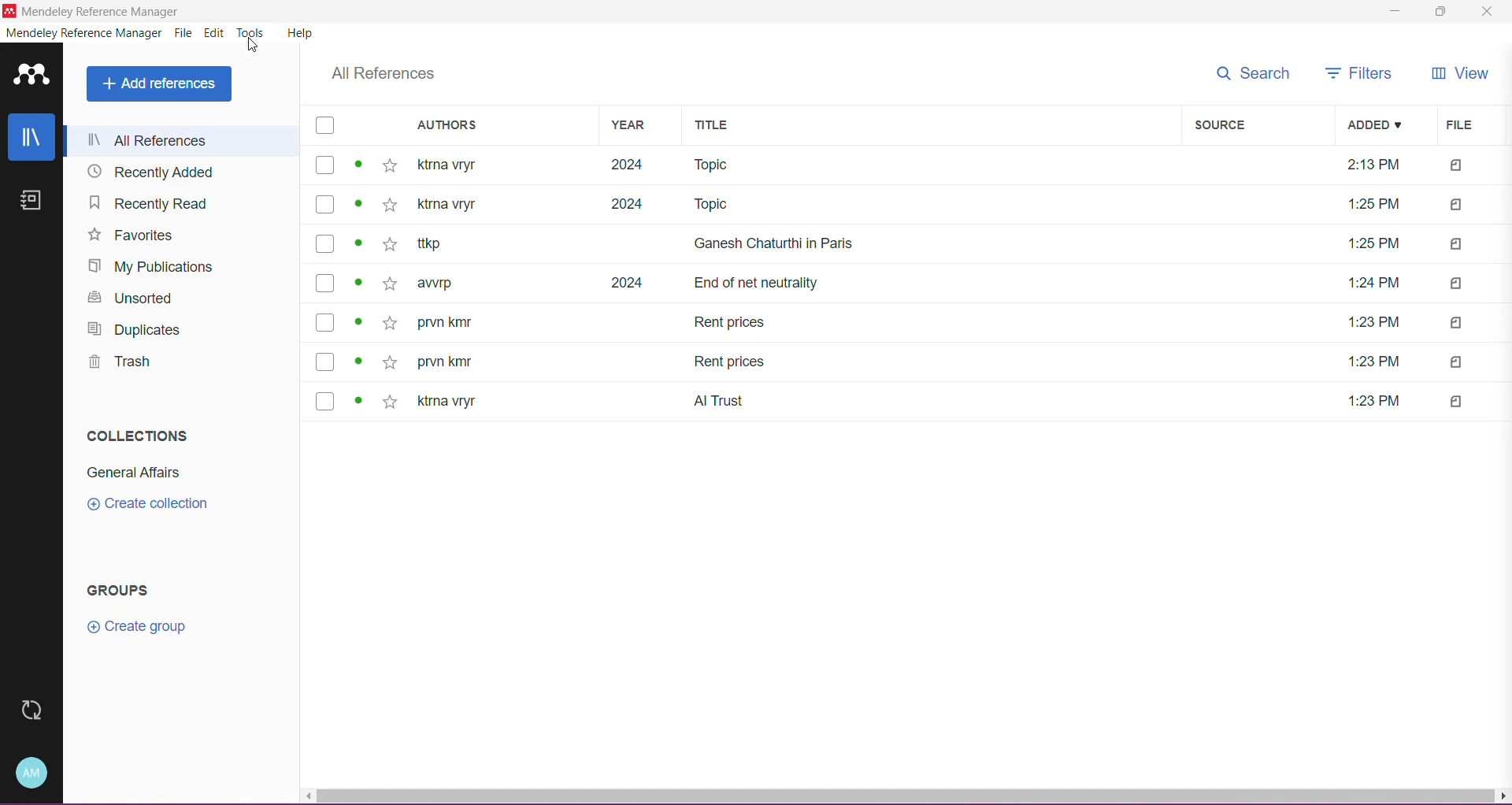  I want to click on Unsorted, so click(131, 299).